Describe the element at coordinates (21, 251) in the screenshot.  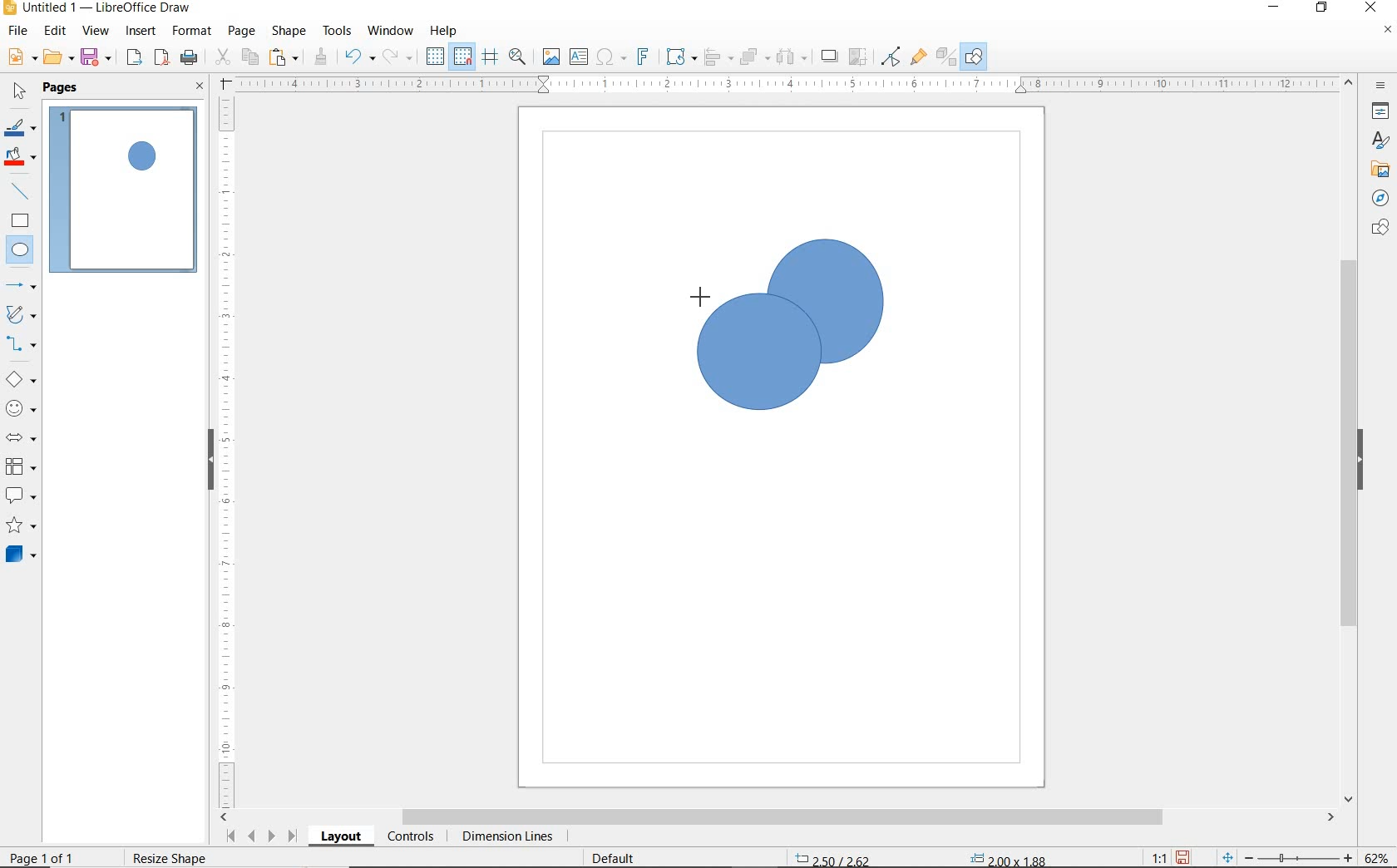
I see `ELLIPSE` at that location.